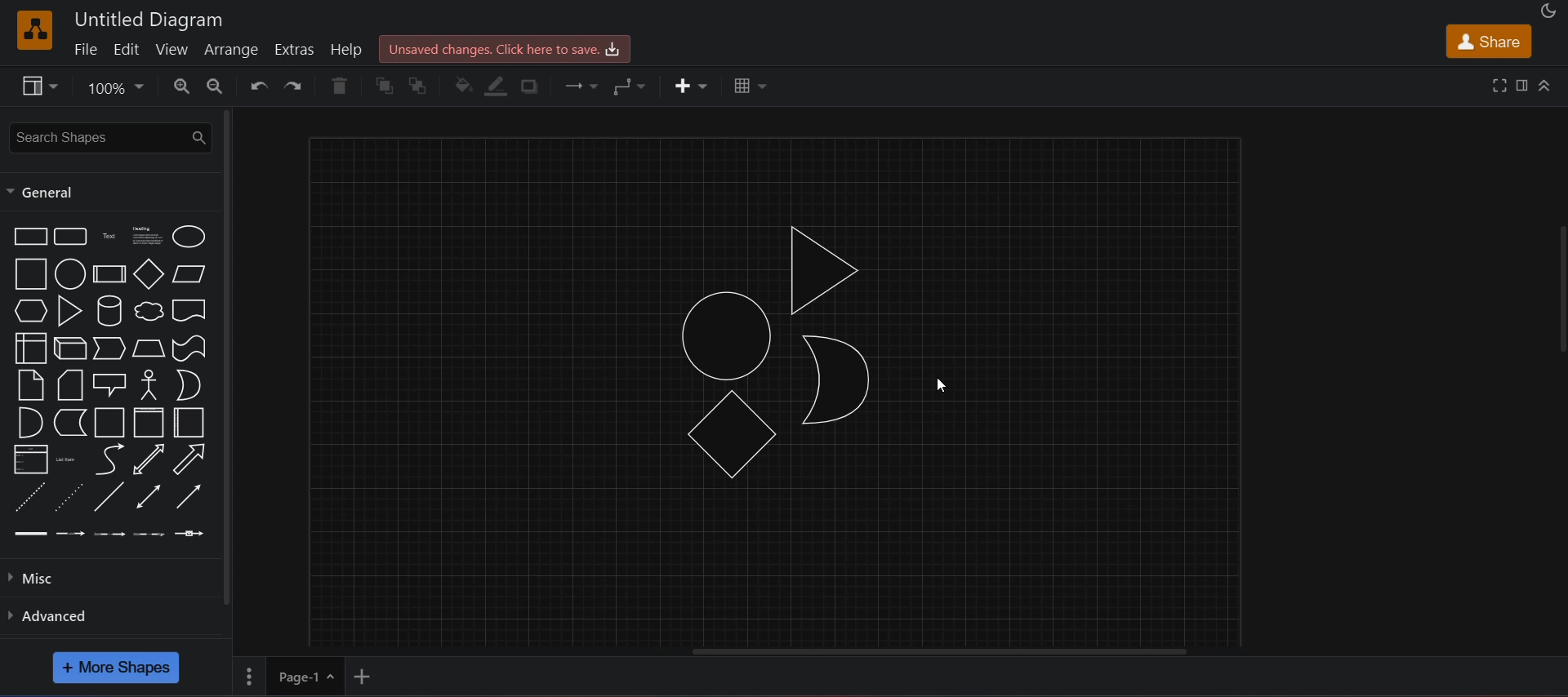  I want to click on table, so click(747, 85).